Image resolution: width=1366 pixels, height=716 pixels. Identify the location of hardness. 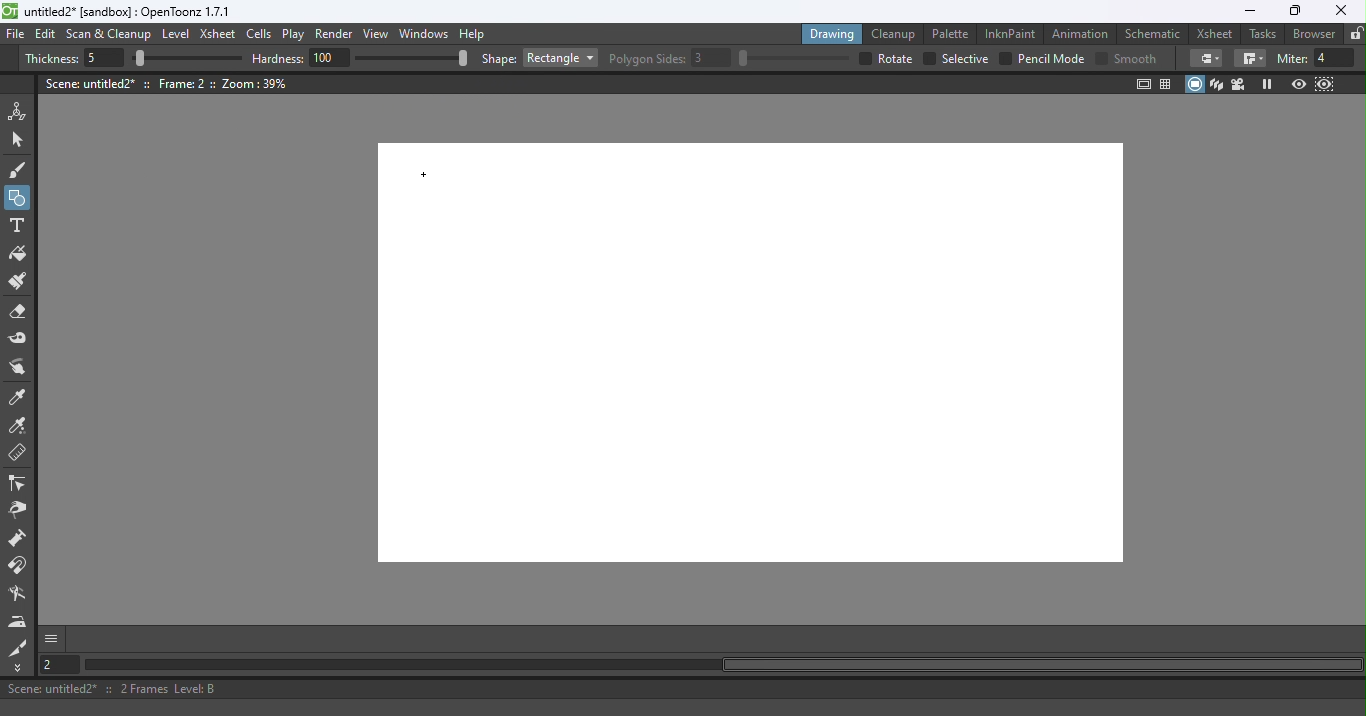
(280, 58).